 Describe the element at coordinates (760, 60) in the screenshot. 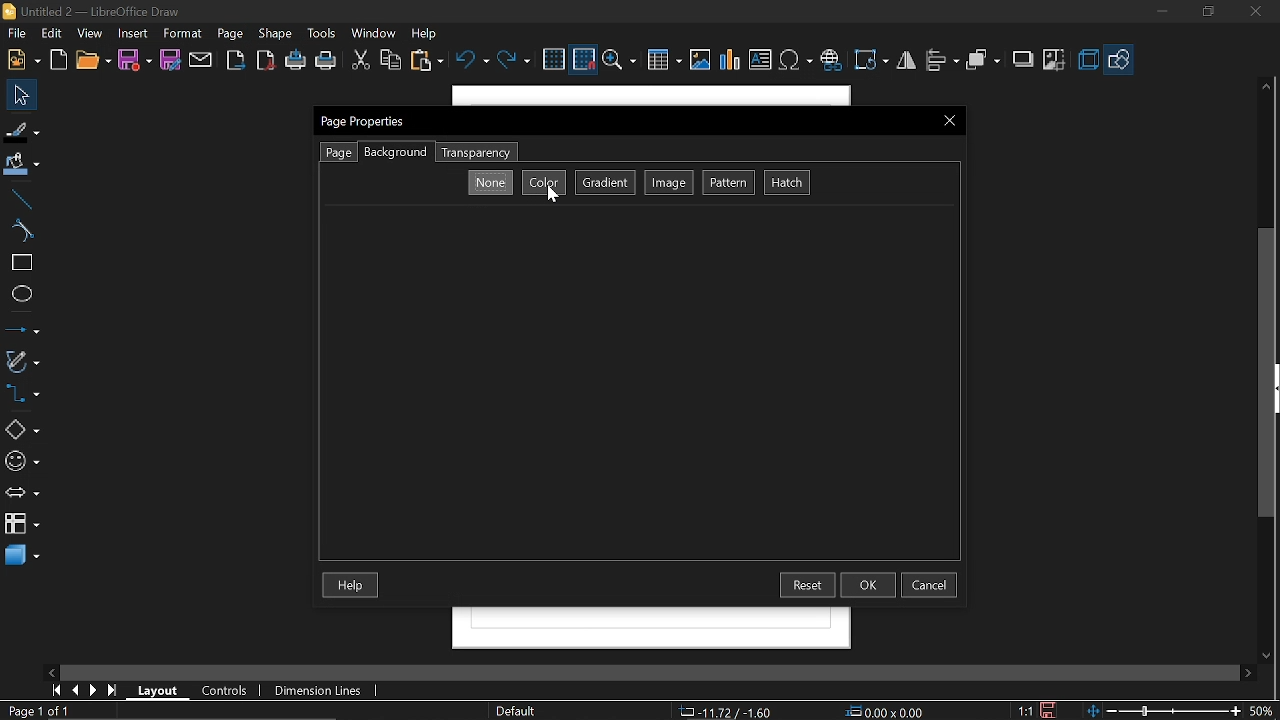

I see `Insert text` at that location.